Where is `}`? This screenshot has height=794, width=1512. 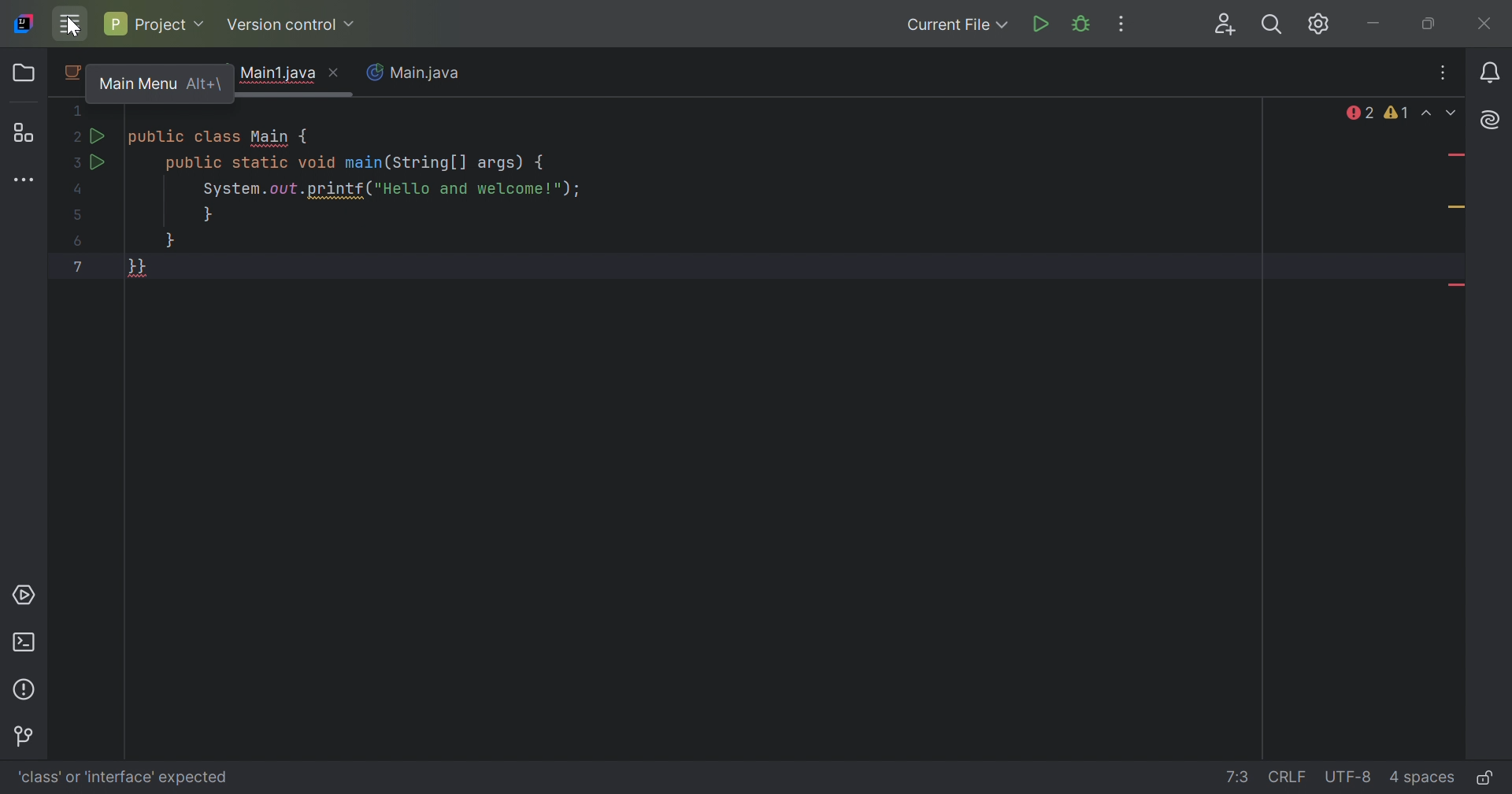
} is located at coordinates (209, 217).